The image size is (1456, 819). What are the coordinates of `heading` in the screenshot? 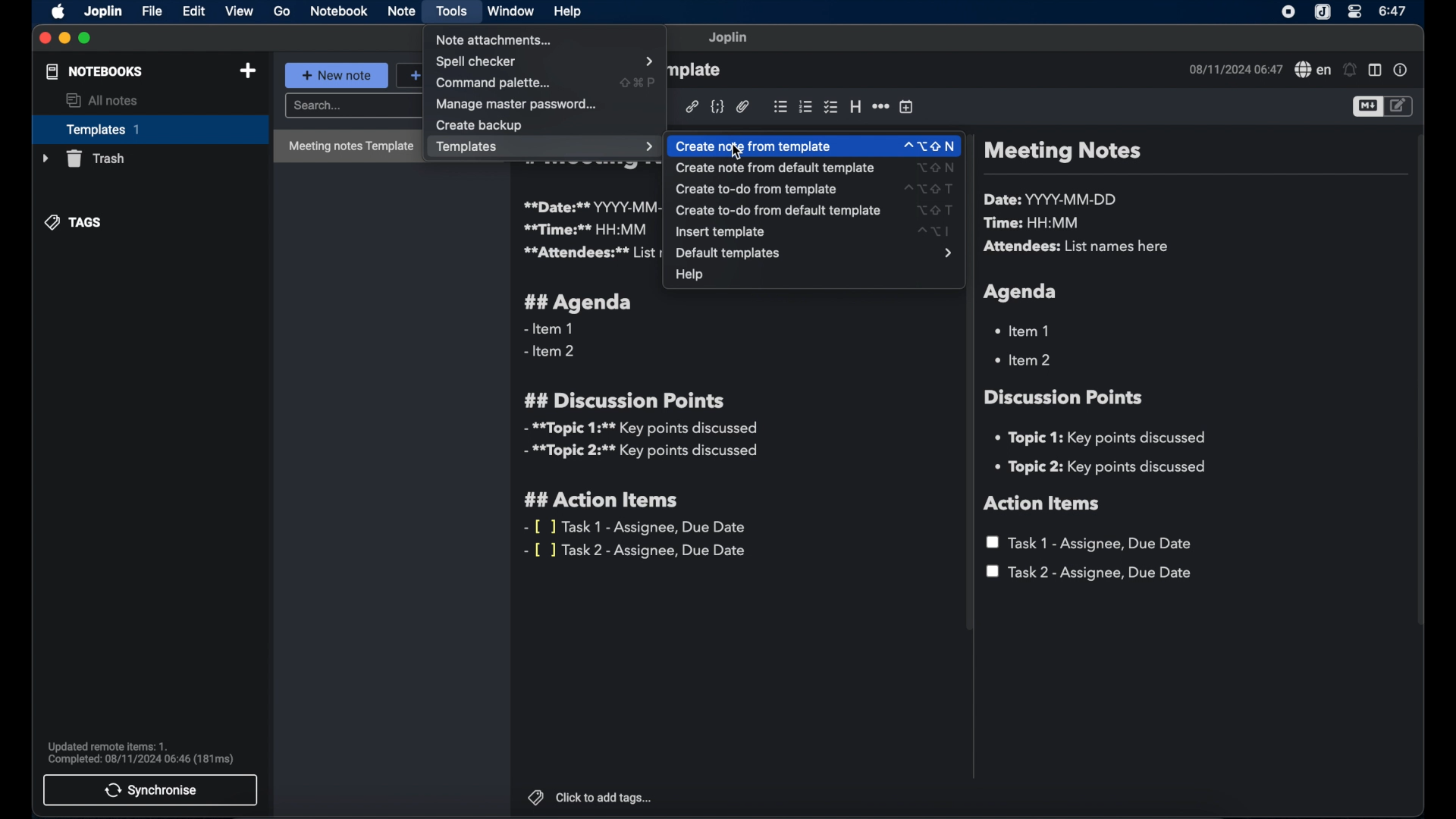 It's located at (855, 108).